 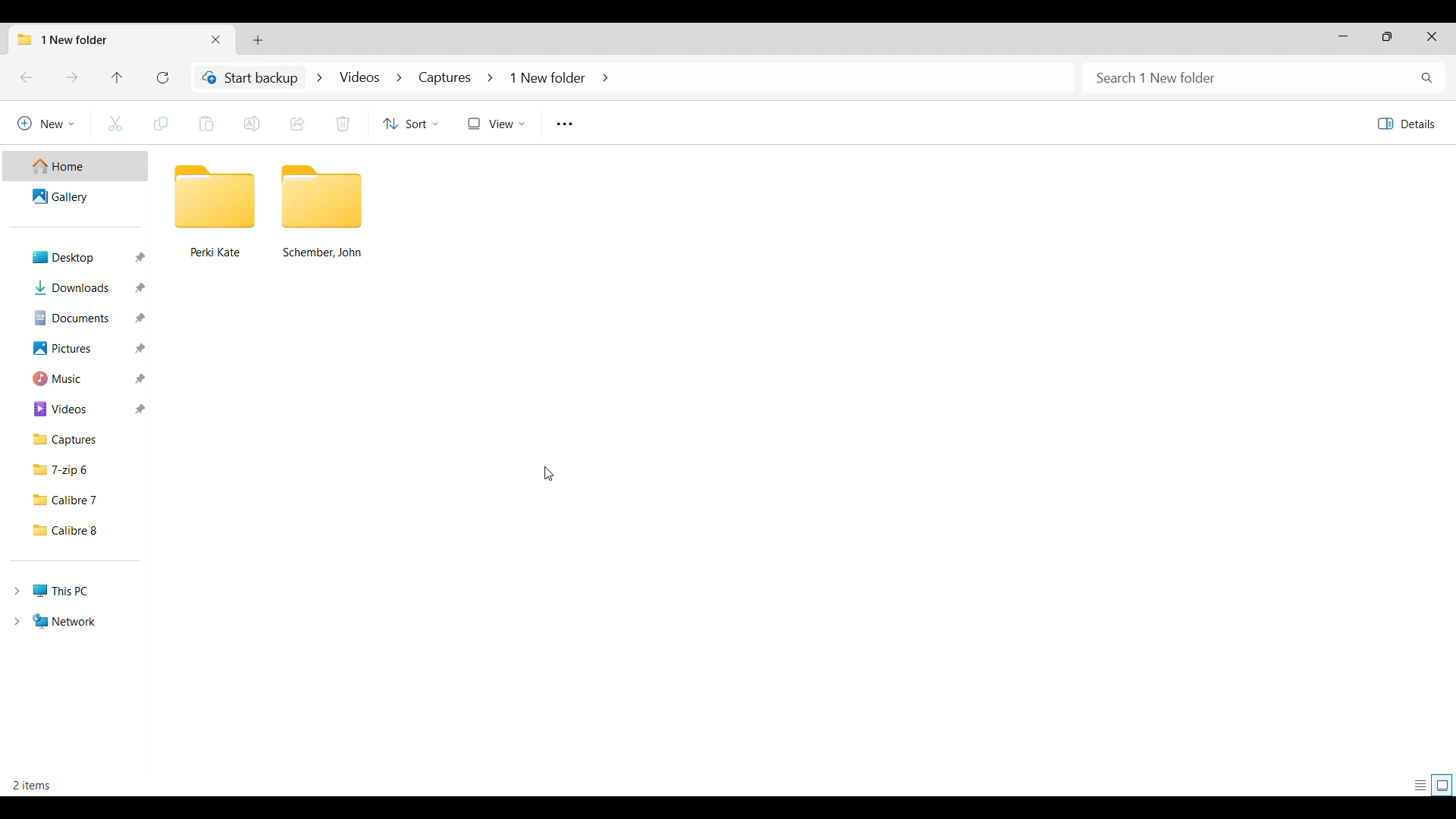 What do you see at coordinates (1406, 124) in the screenshot?
I see `Show/Hide side pane` at bounding box center [1406, 124].